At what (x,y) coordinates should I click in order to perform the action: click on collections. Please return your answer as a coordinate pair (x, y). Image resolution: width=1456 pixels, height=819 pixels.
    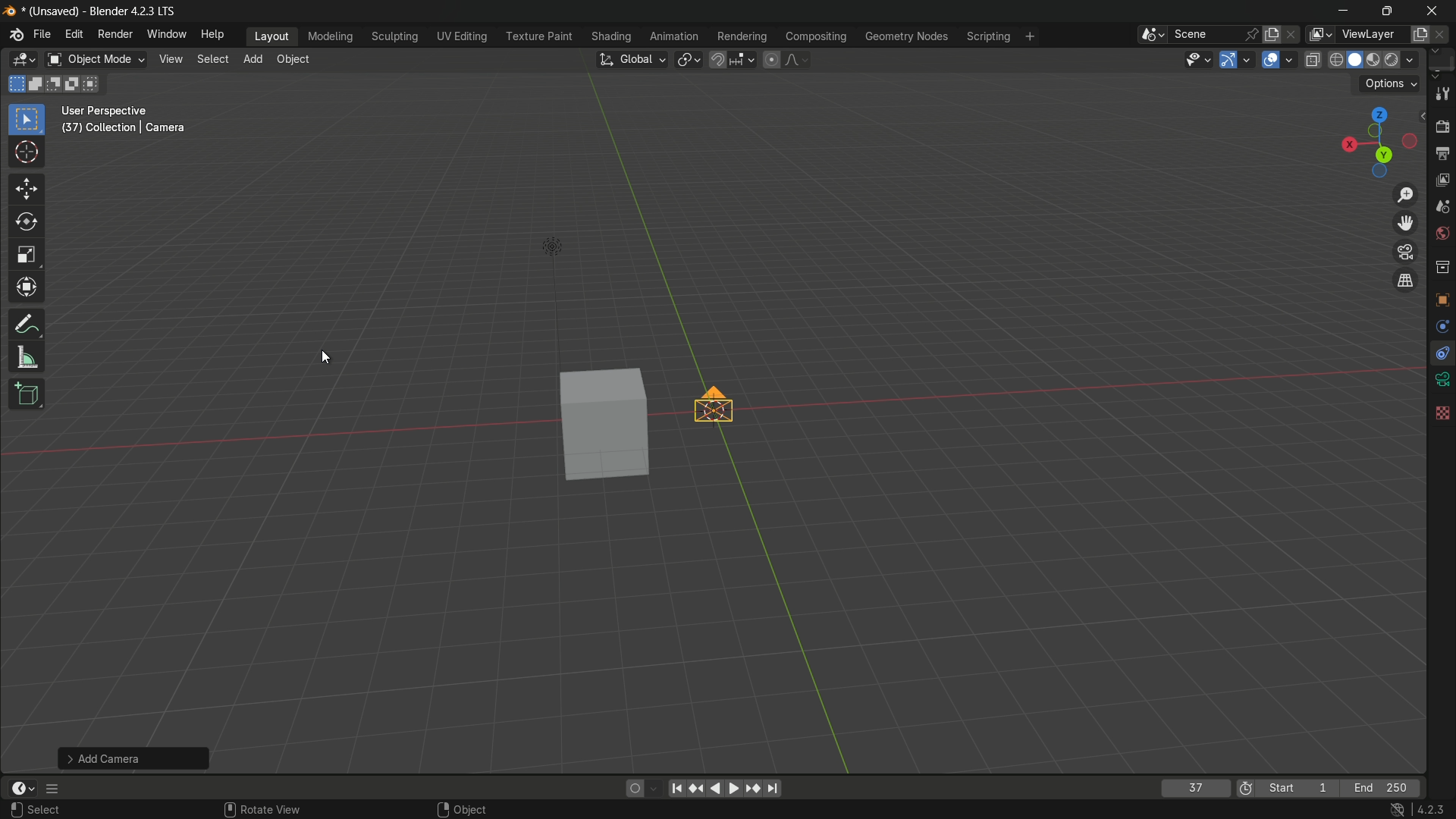
    Looking at the image, I should click on (1442, 267).